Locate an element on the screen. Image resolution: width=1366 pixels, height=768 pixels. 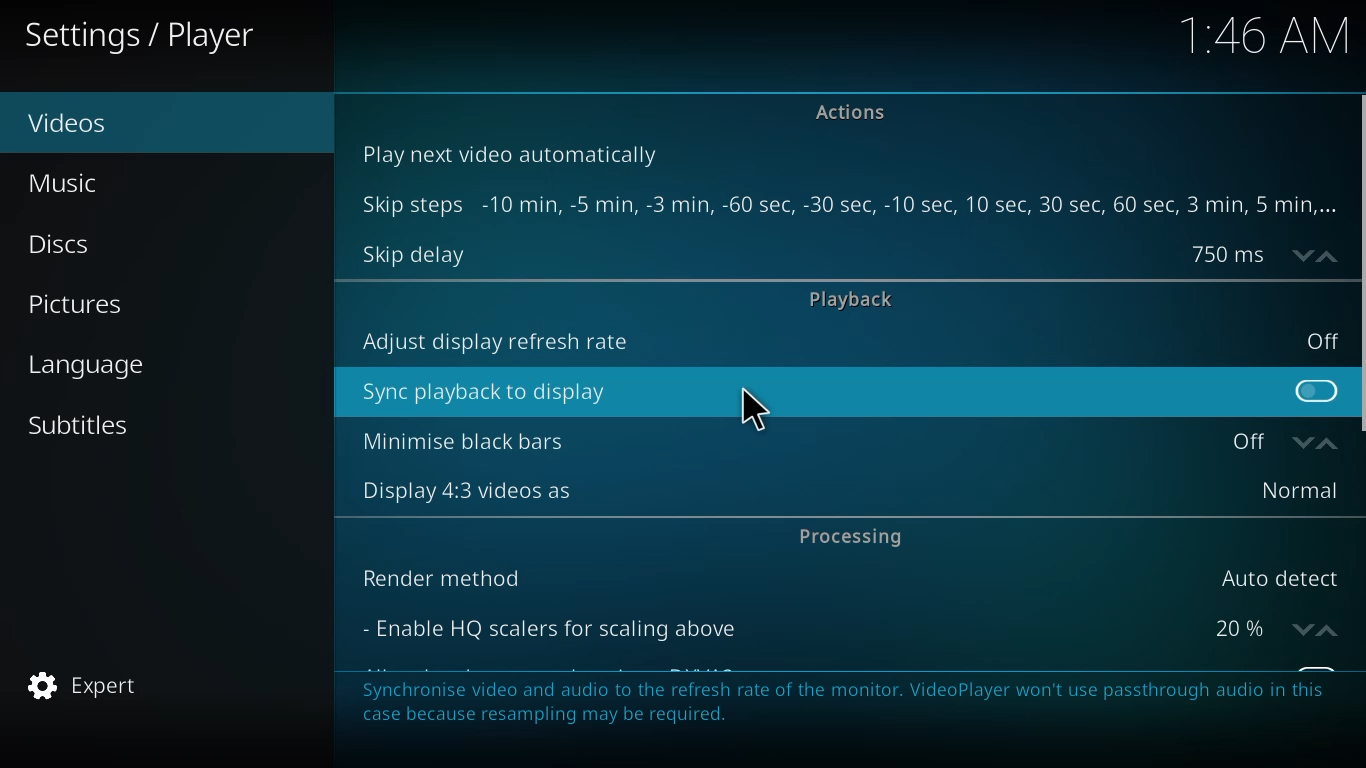
discs is located at coordinates (70, 247).